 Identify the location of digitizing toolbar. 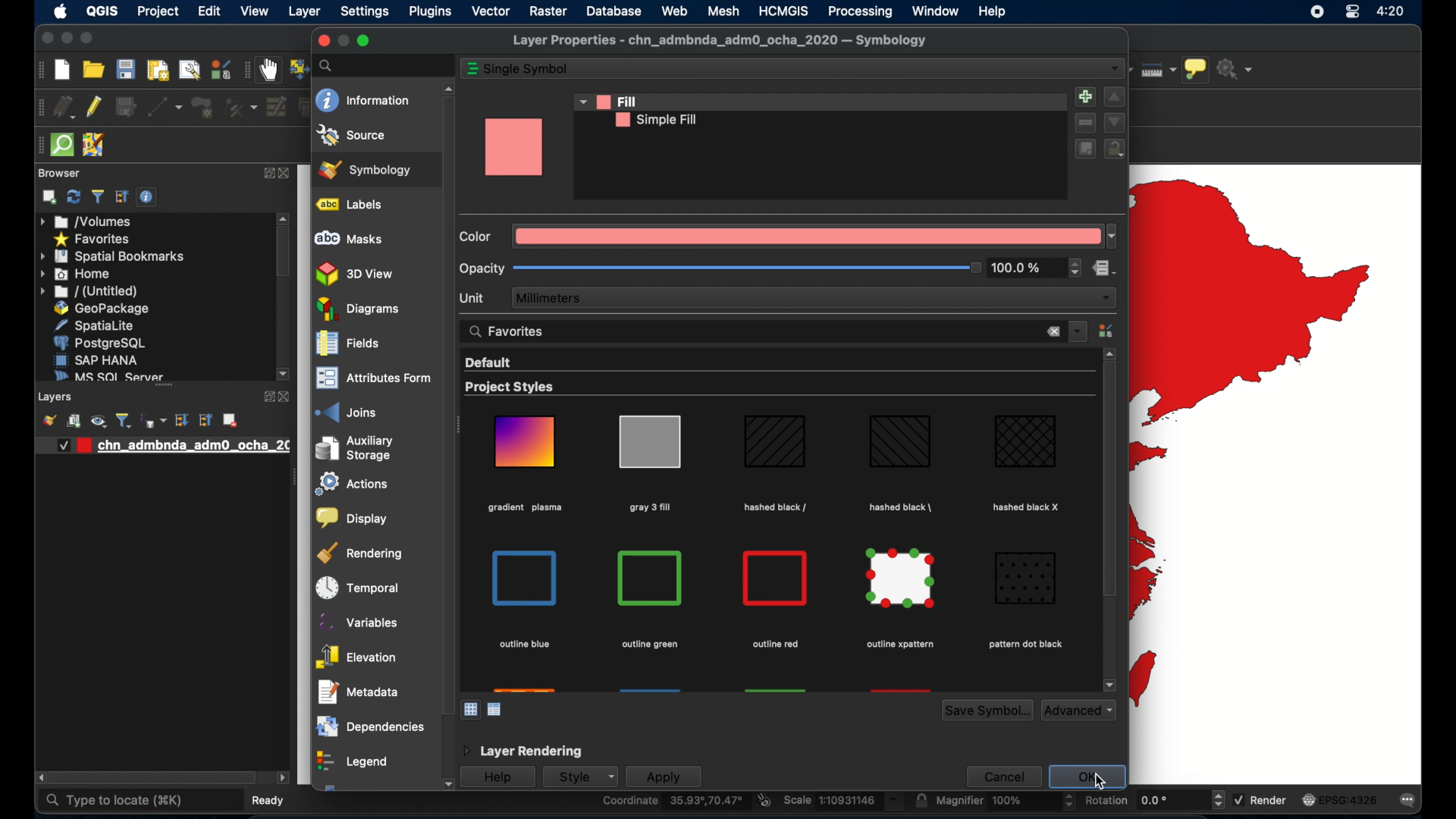
(38, 109).